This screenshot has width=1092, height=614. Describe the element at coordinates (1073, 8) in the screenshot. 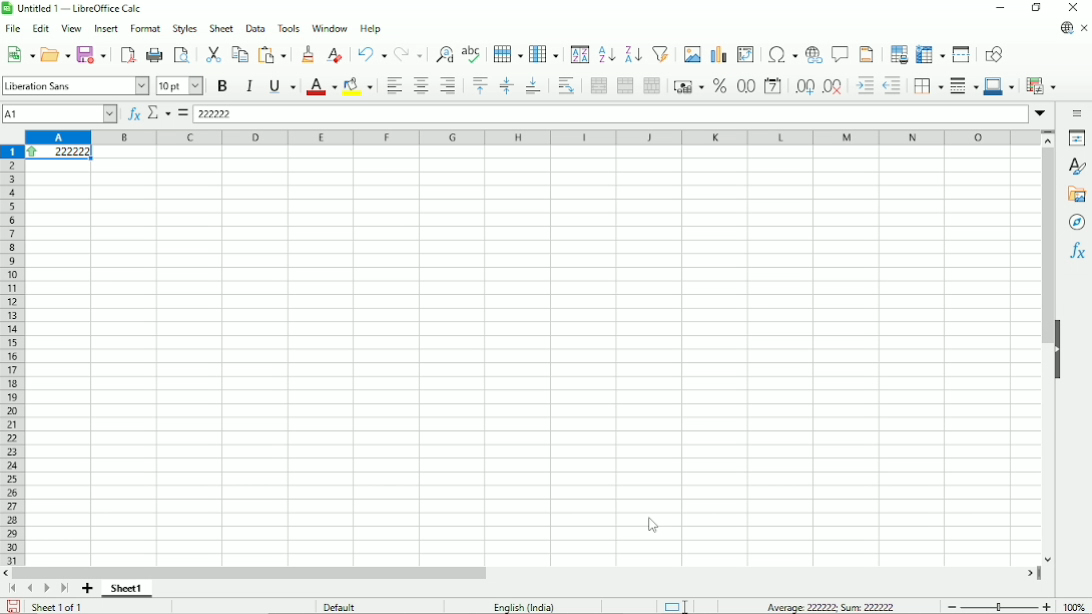

I see `` at that location.